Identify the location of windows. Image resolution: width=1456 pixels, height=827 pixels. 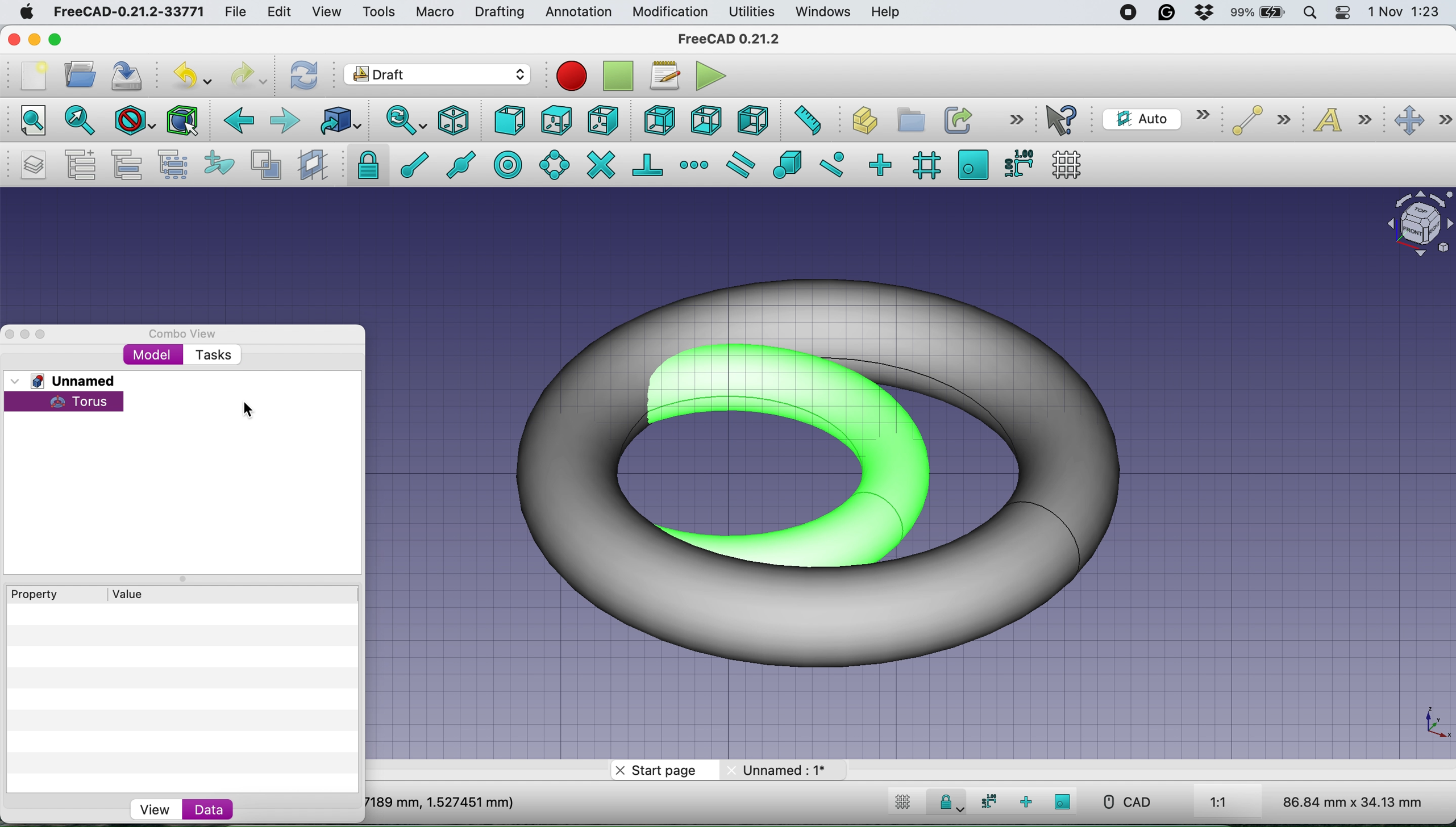
(826, 12).